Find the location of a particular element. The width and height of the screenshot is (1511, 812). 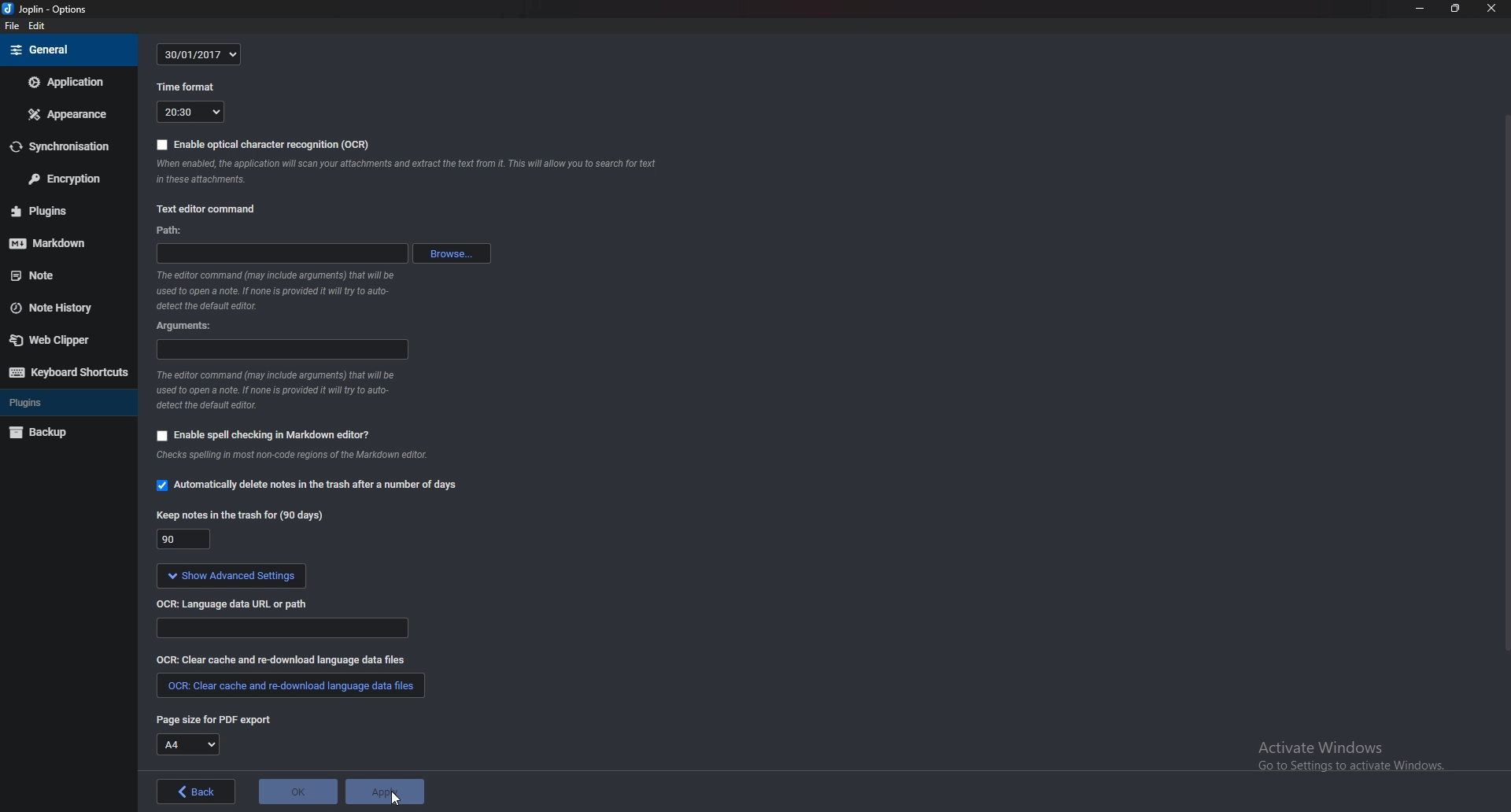

note is located at coordinates (408, 173).